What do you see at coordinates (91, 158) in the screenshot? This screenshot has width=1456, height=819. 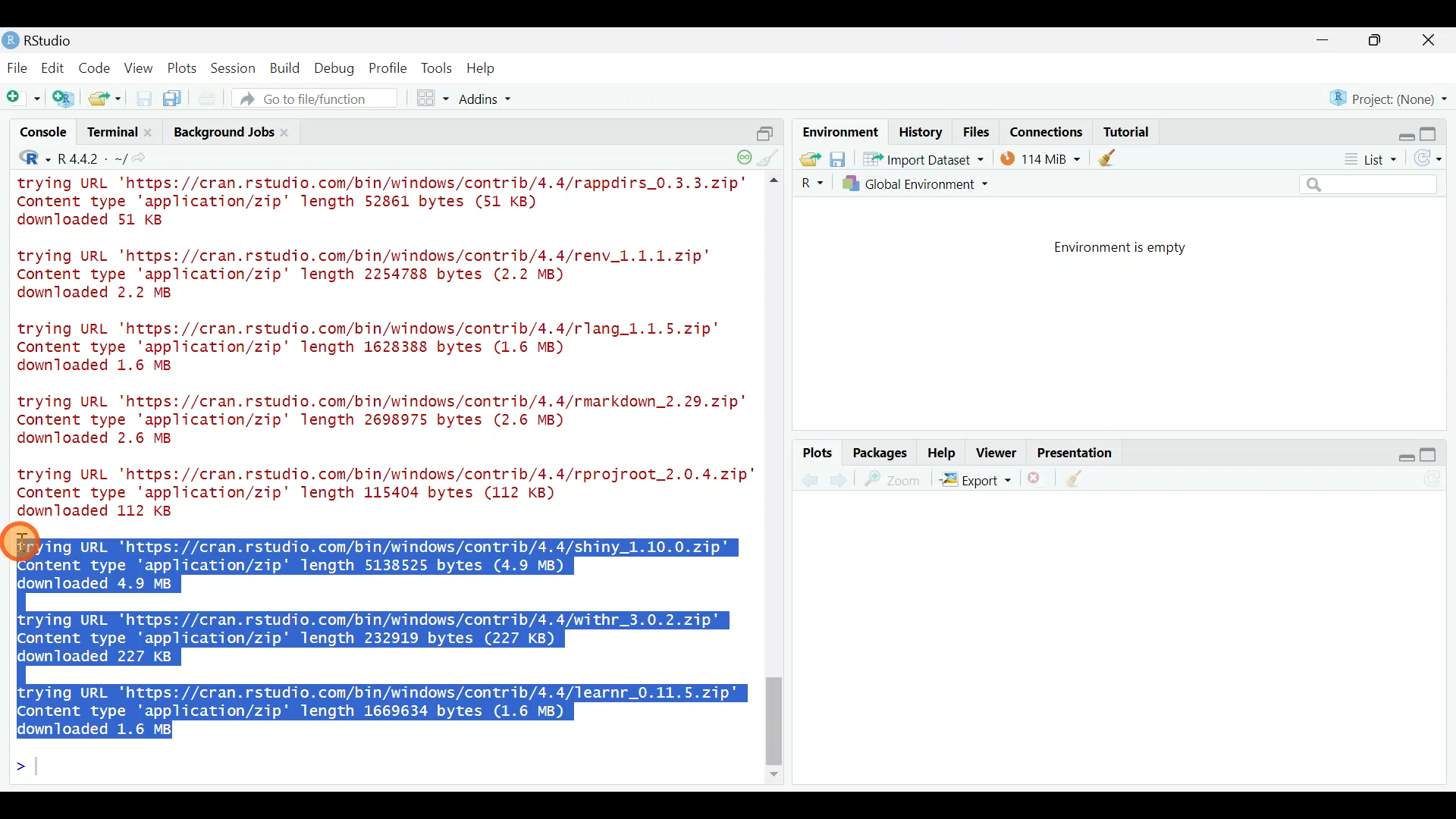 I see `R4.4.2` at bounding box center [91, 158].